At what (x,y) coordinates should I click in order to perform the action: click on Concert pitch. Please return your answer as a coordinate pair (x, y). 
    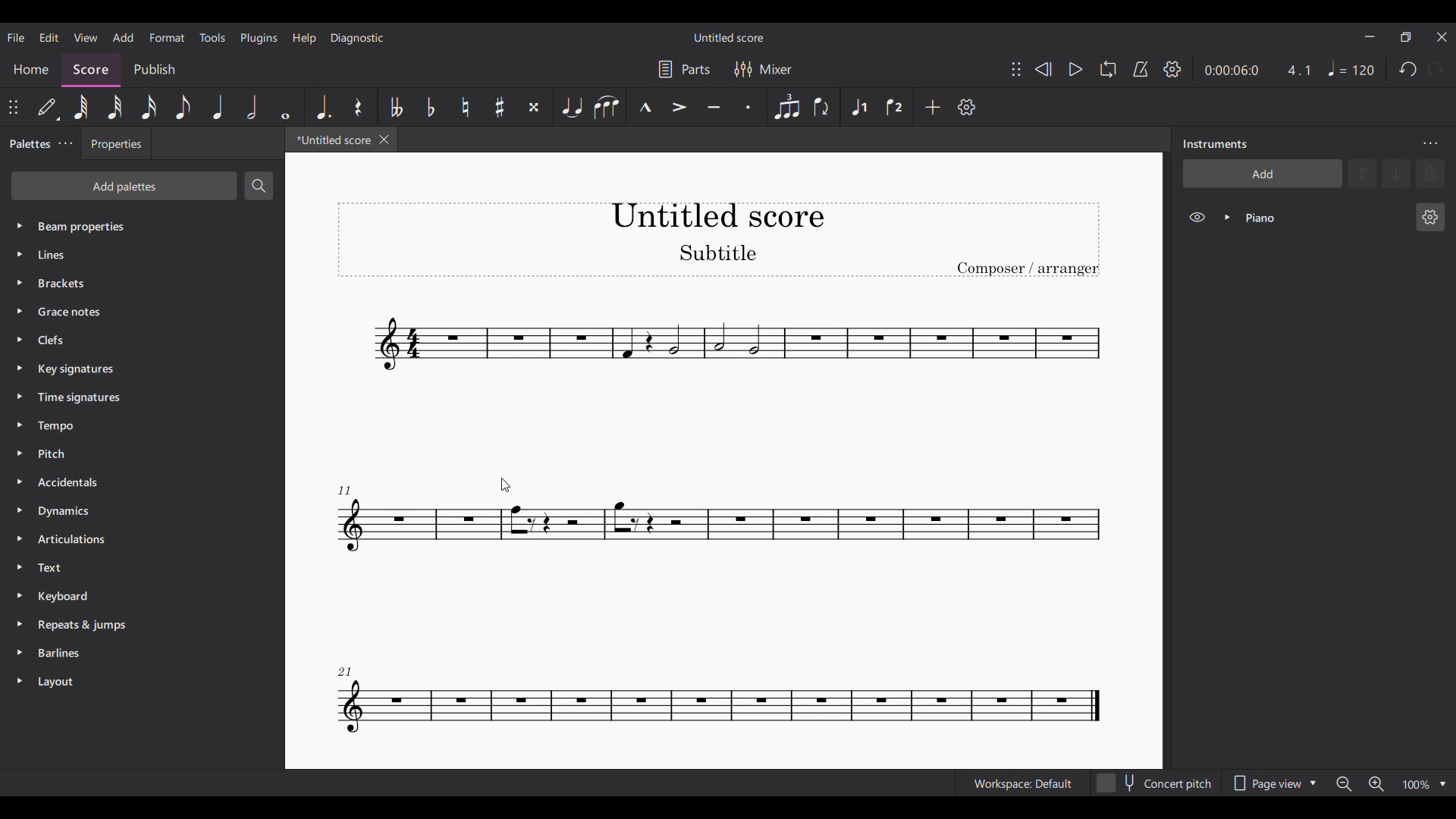
    Looking at the image, I should click on (1155, 780).